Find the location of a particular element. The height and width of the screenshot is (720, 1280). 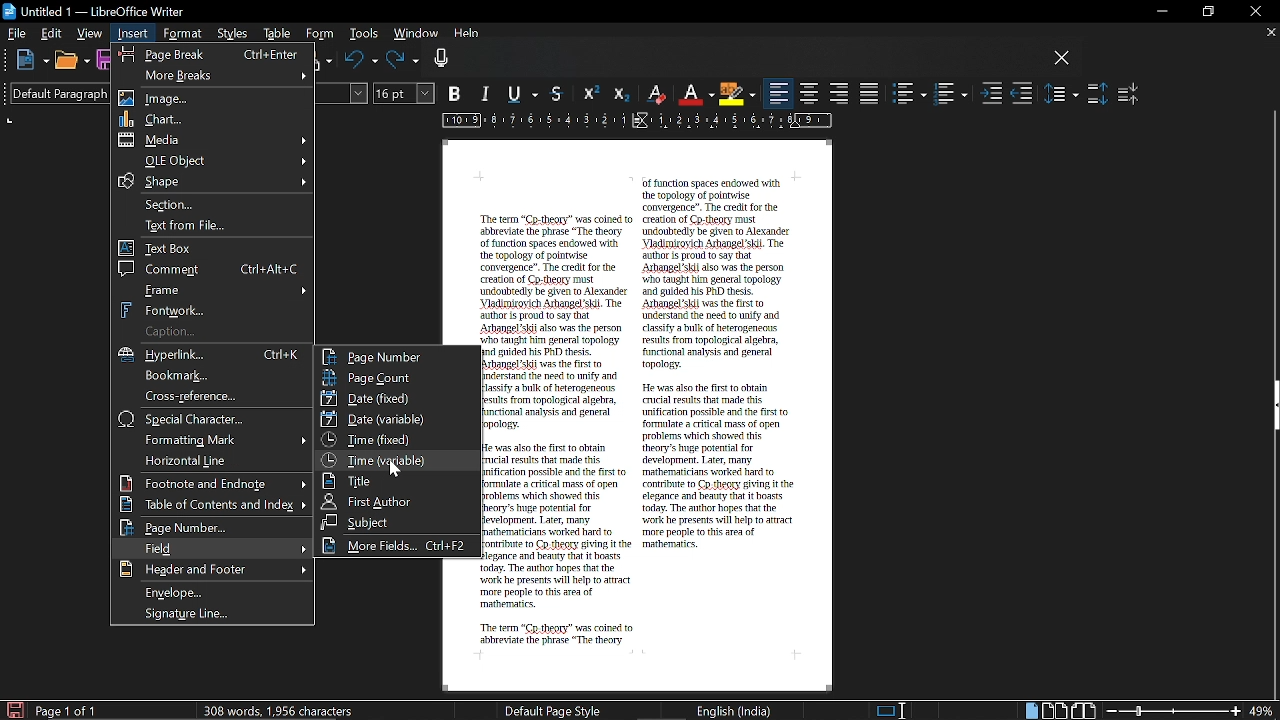

Subscript is located at coordinates (619, 94).